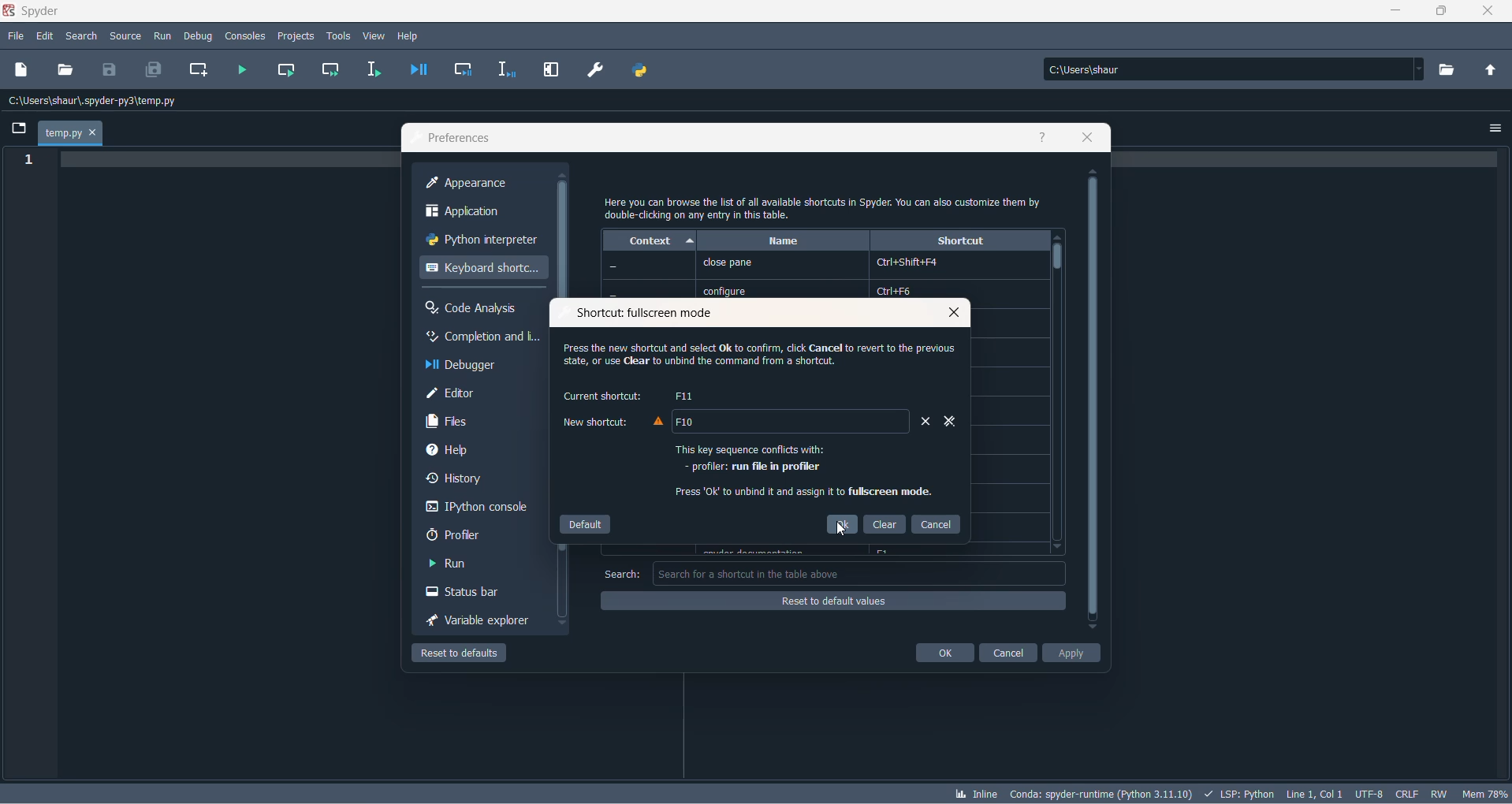  I want to click on remove all, so click(947, 422).